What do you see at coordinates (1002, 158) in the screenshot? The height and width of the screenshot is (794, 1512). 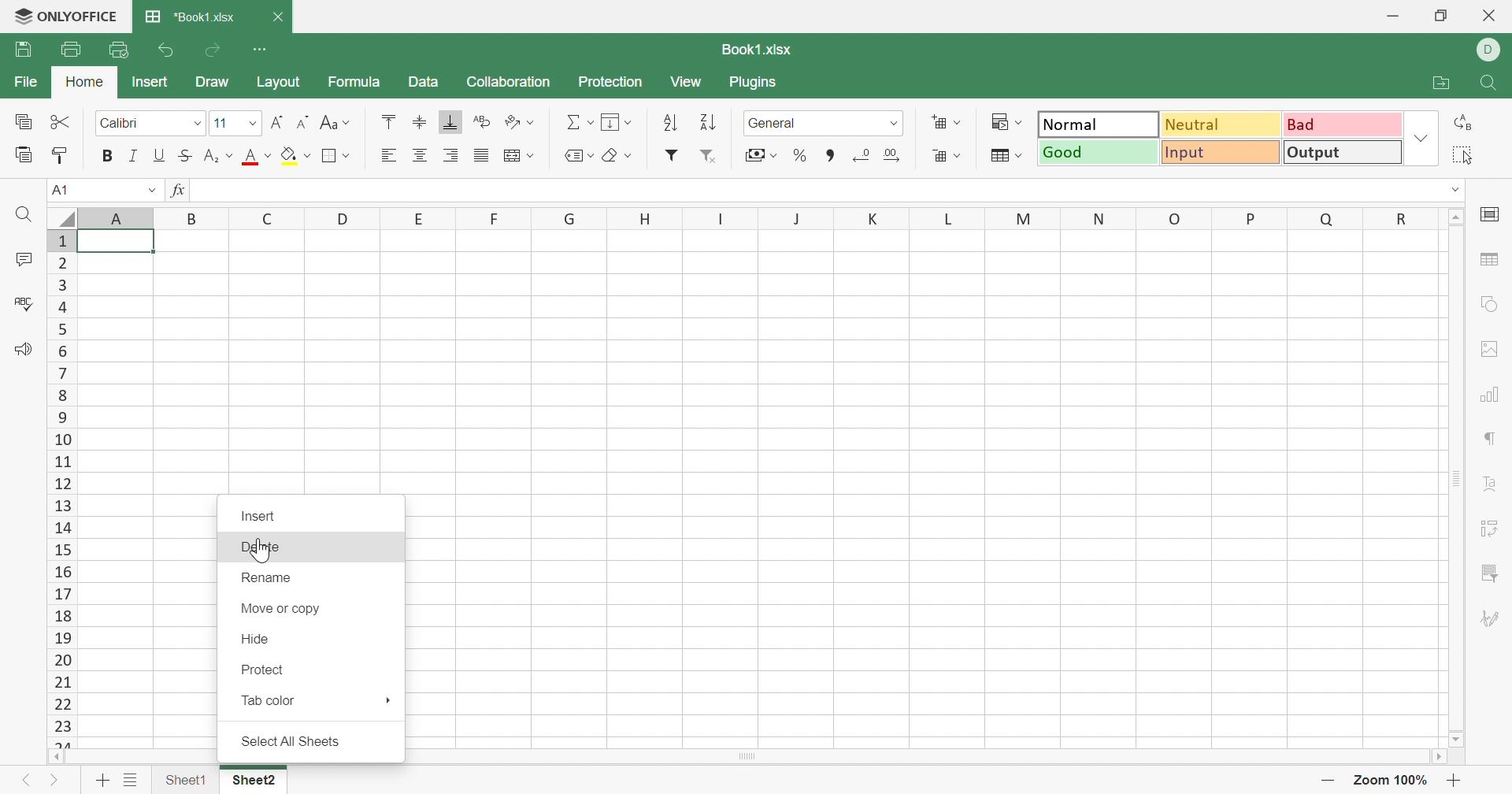 I see `Format as table template` at bounding box center [1002, 158].